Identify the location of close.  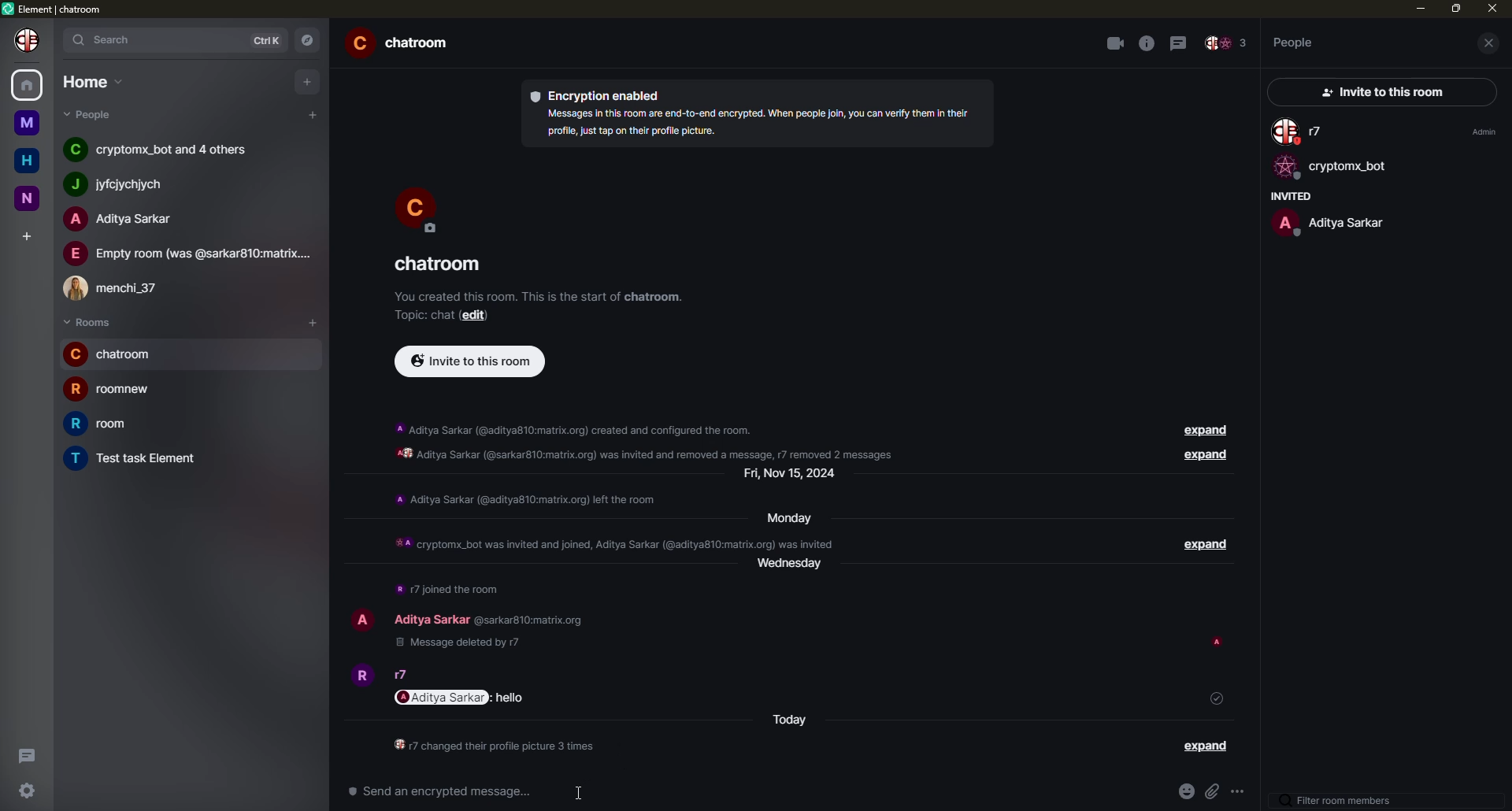
(1493, 43).